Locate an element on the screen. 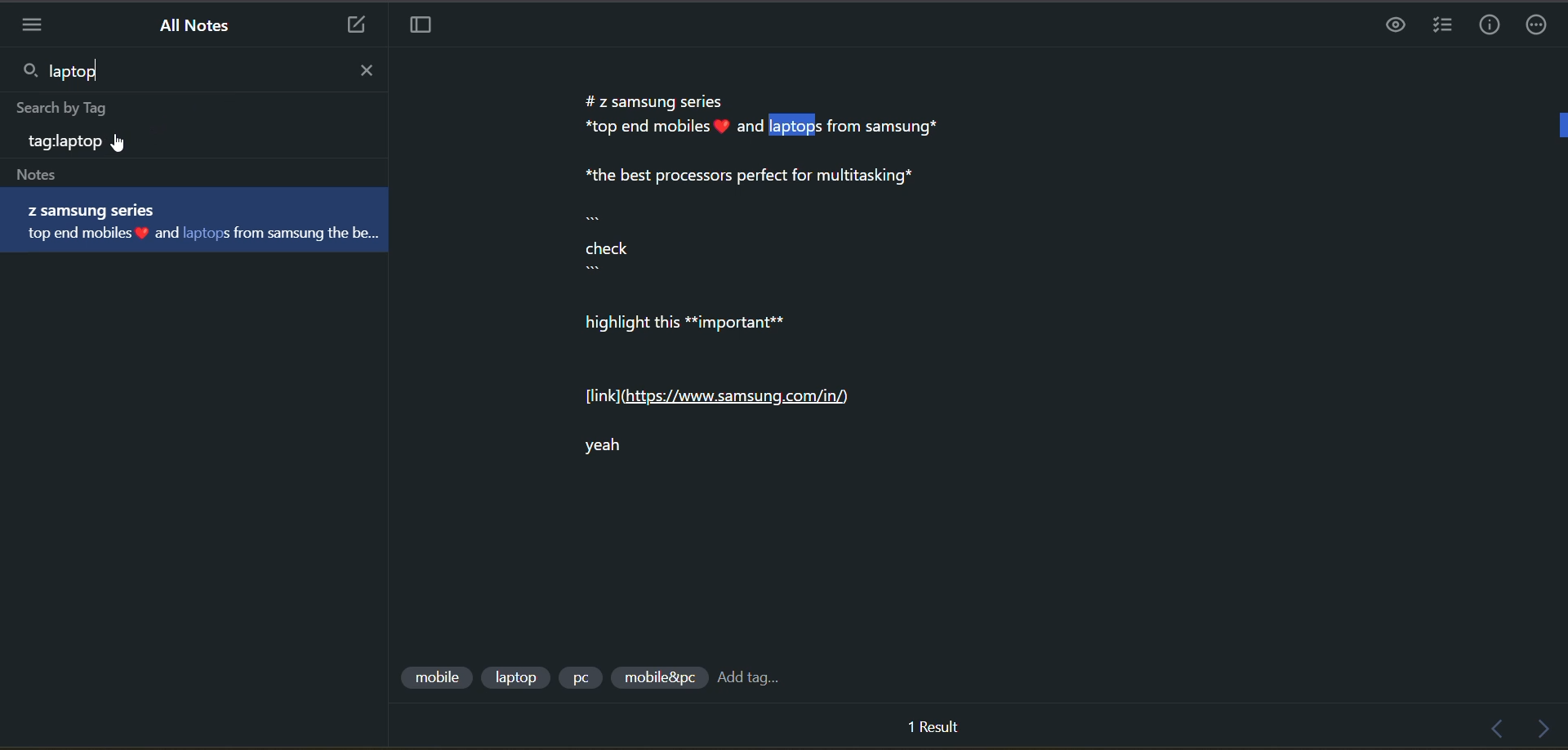  top end mobiles # and laptops from samsung the be... is located at coordinates (209, 237).